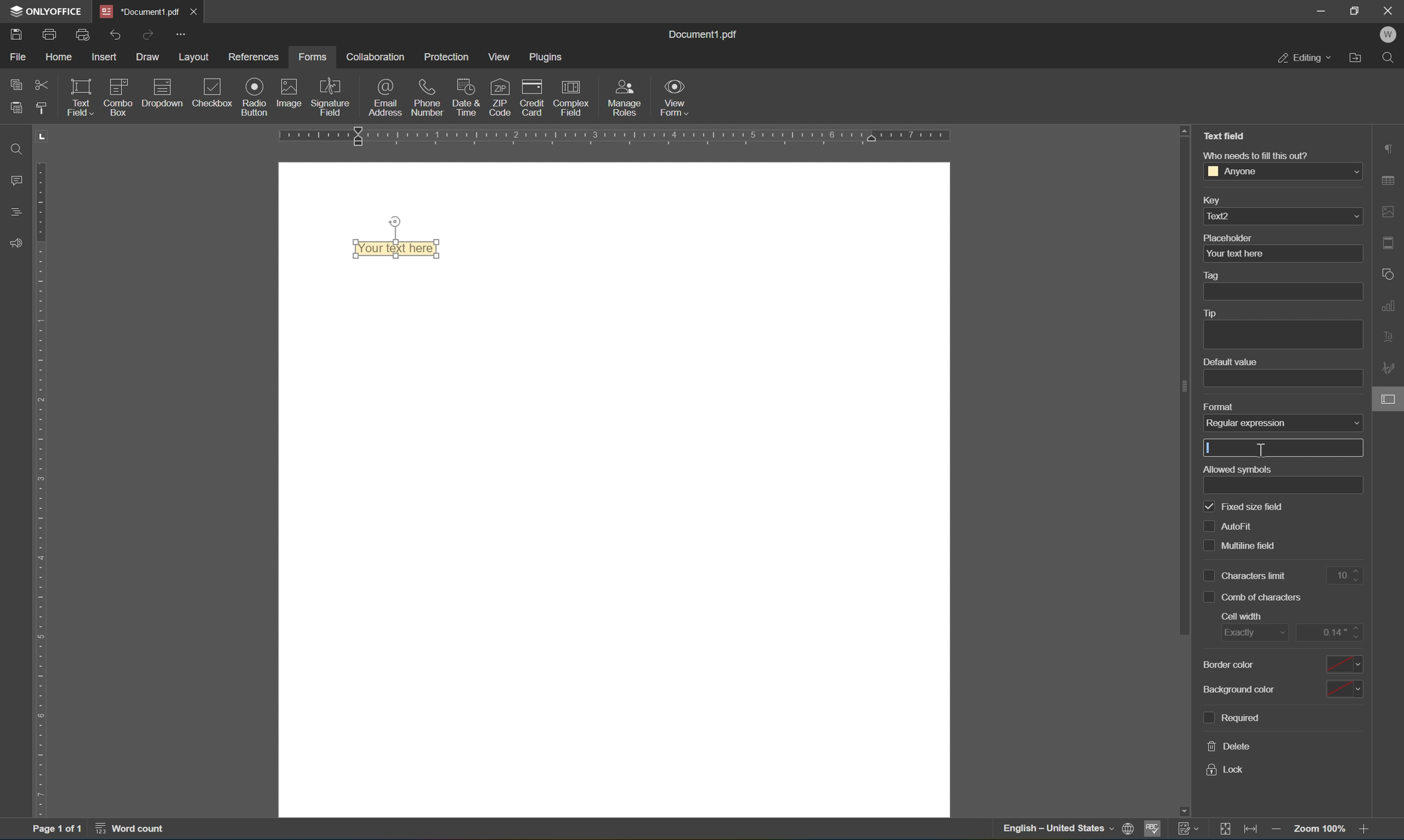  What do you see at coordinates (40, 111) in the screenshot?
I see `copy style` at bounding box center [40, 111].